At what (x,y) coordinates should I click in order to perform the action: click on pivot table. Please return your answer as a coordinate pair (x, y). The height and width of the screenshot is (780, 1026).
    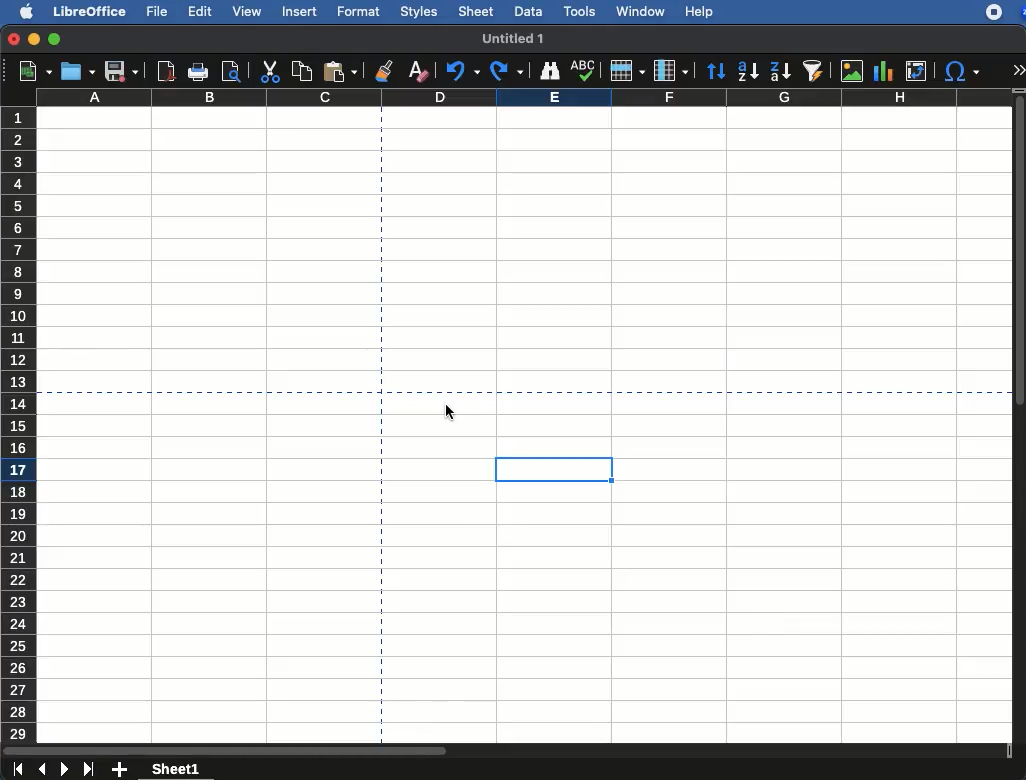
    Looking at the image, I should click on (919, 69).